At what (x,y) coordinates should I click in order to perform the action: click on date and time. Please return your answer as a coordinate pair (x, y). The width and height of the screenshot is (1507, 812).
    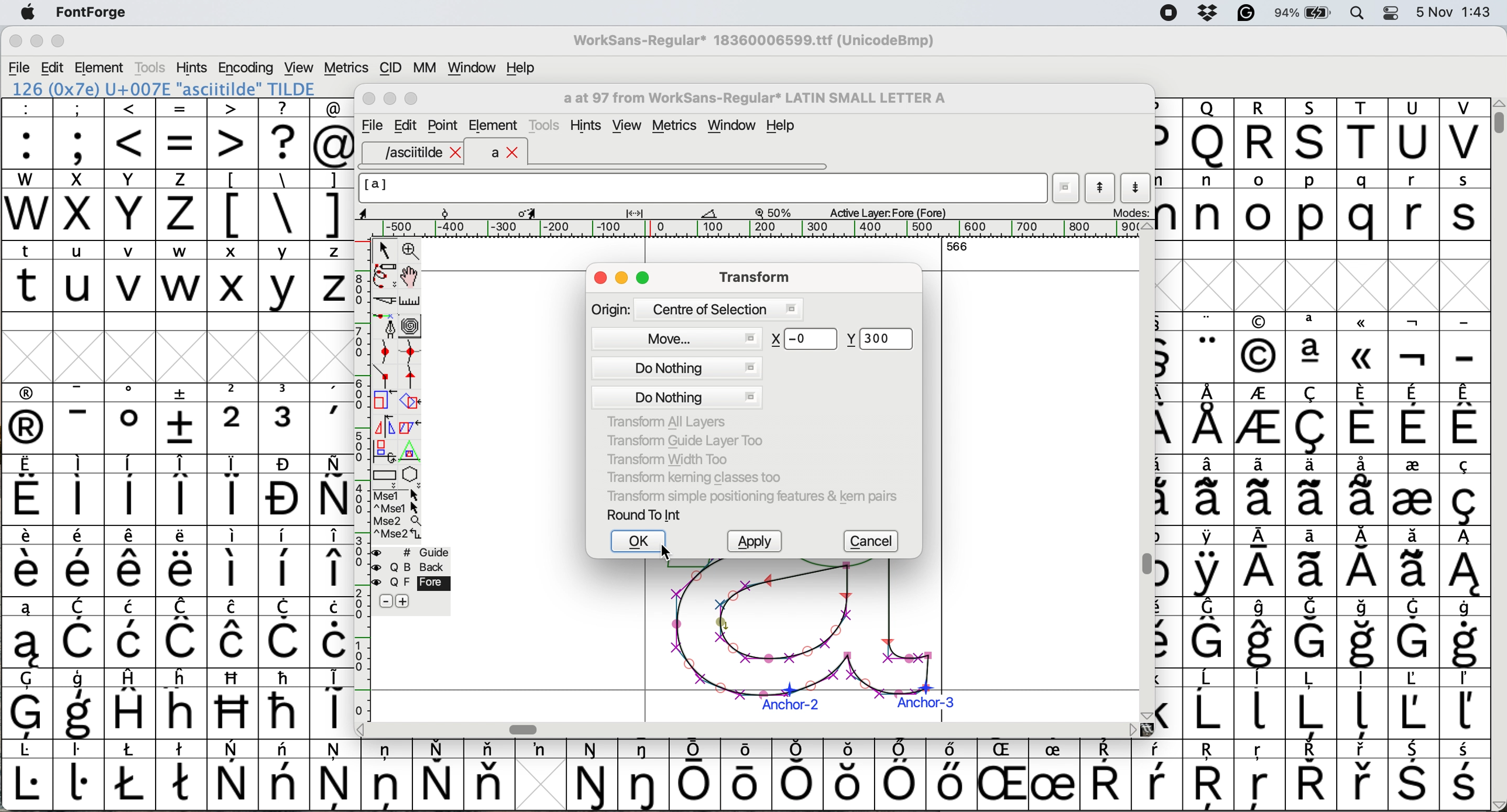
    Looking at the image, I should click on (1454, 11).